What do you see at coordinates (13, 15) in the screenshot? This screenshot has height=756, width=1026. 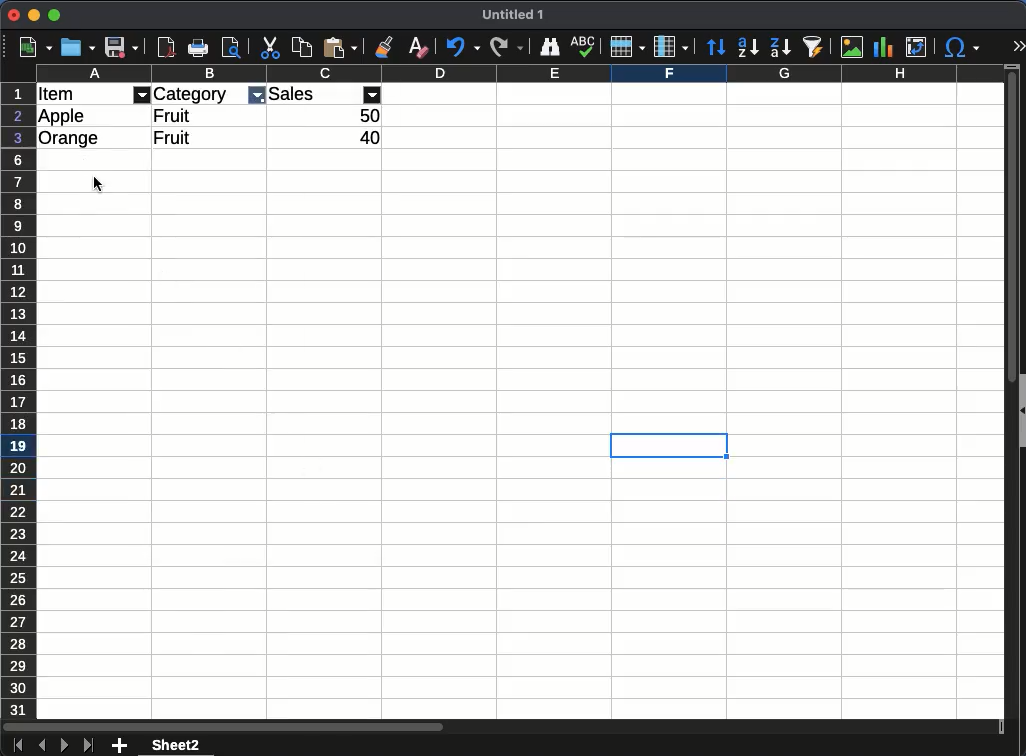 I see `close` at bounding box center [13, 15].